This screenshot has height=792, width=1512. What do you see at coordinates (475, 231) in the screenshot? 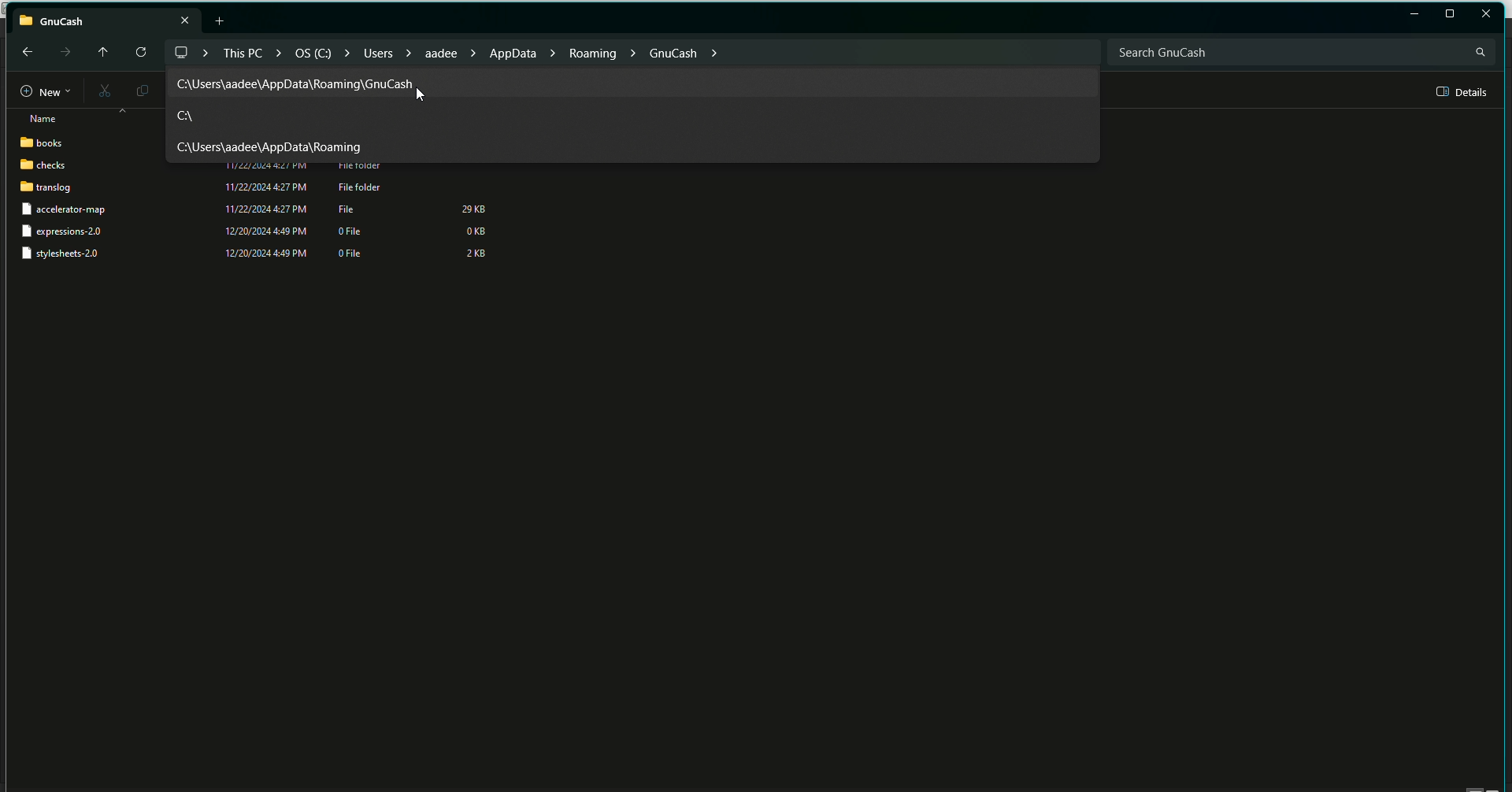
I see `File size` at bounding box center [475, 231].